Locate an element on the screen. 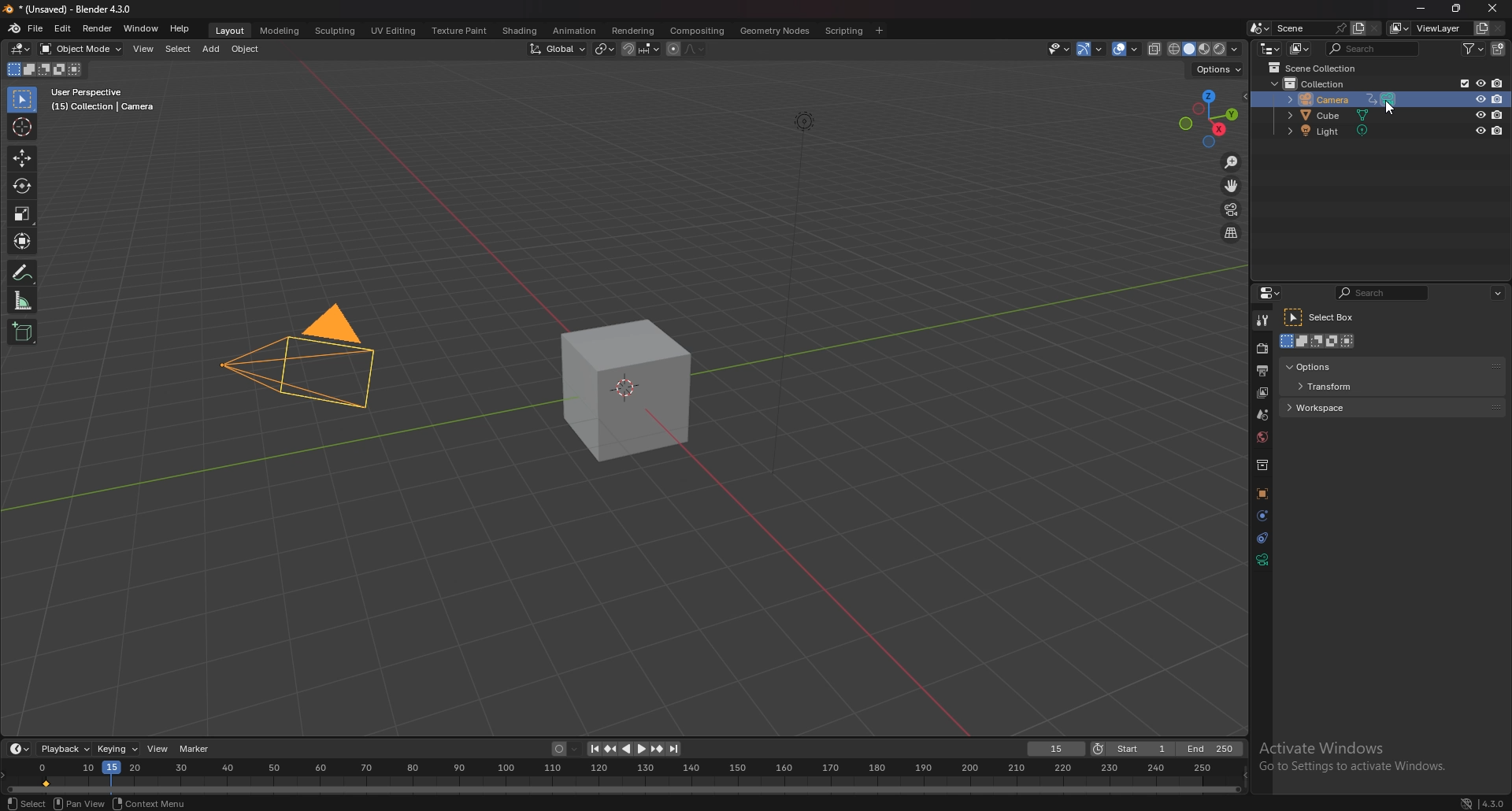 This screenshot has height=811, width=1512. edit is located at coordinates (64, 28).